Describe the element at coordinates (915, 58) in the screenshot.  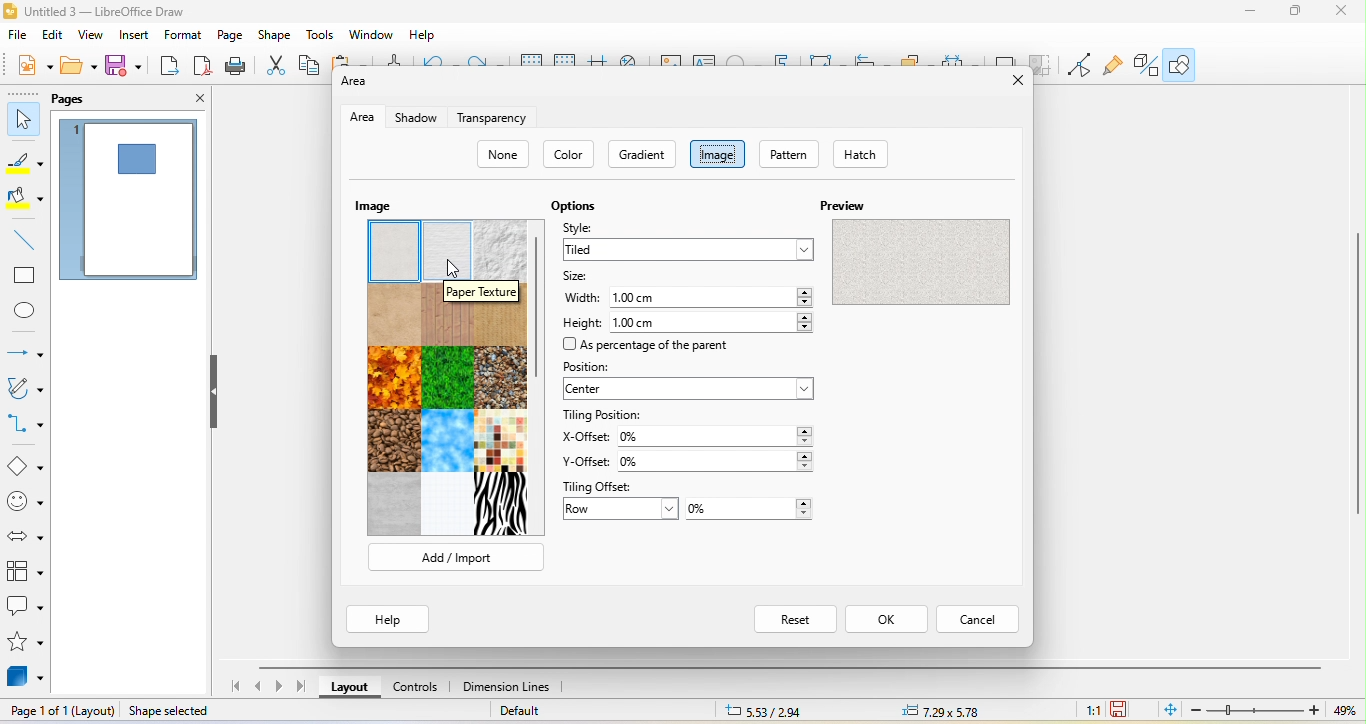
I see `arrange` at that location.